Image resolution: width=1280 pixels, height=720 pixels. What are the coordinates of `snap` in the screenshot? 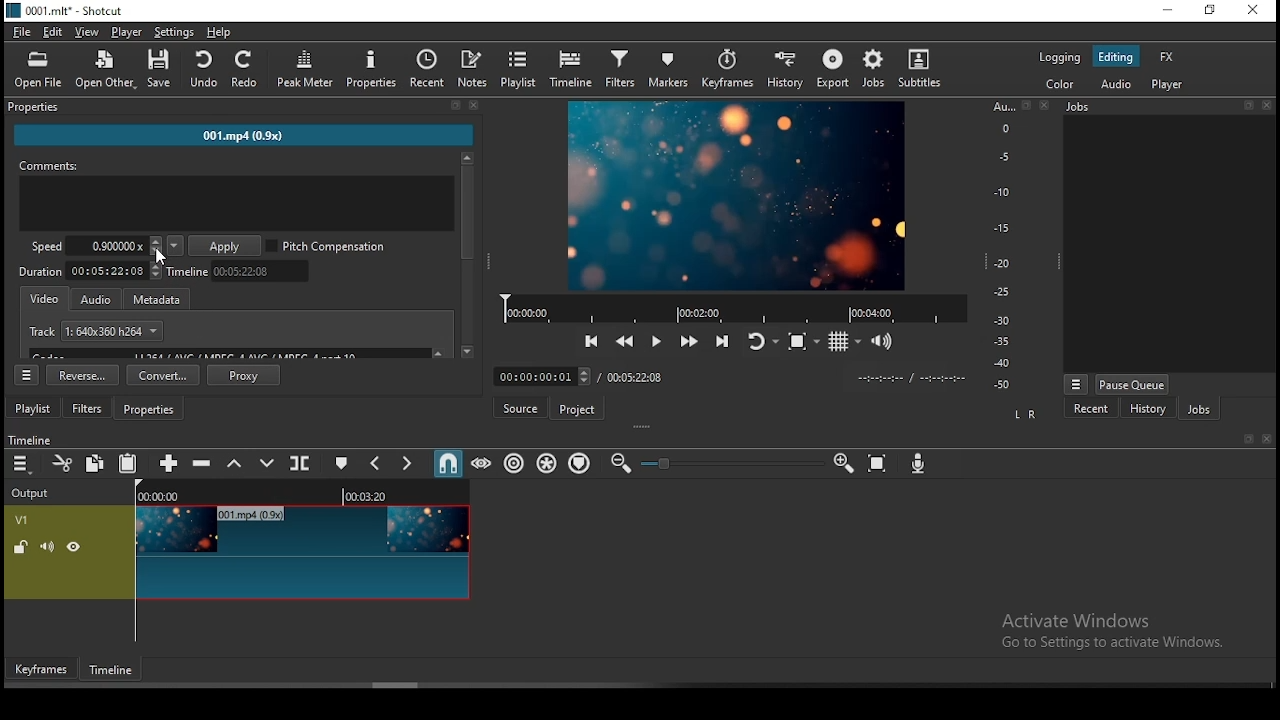 It's located at (450, 463).